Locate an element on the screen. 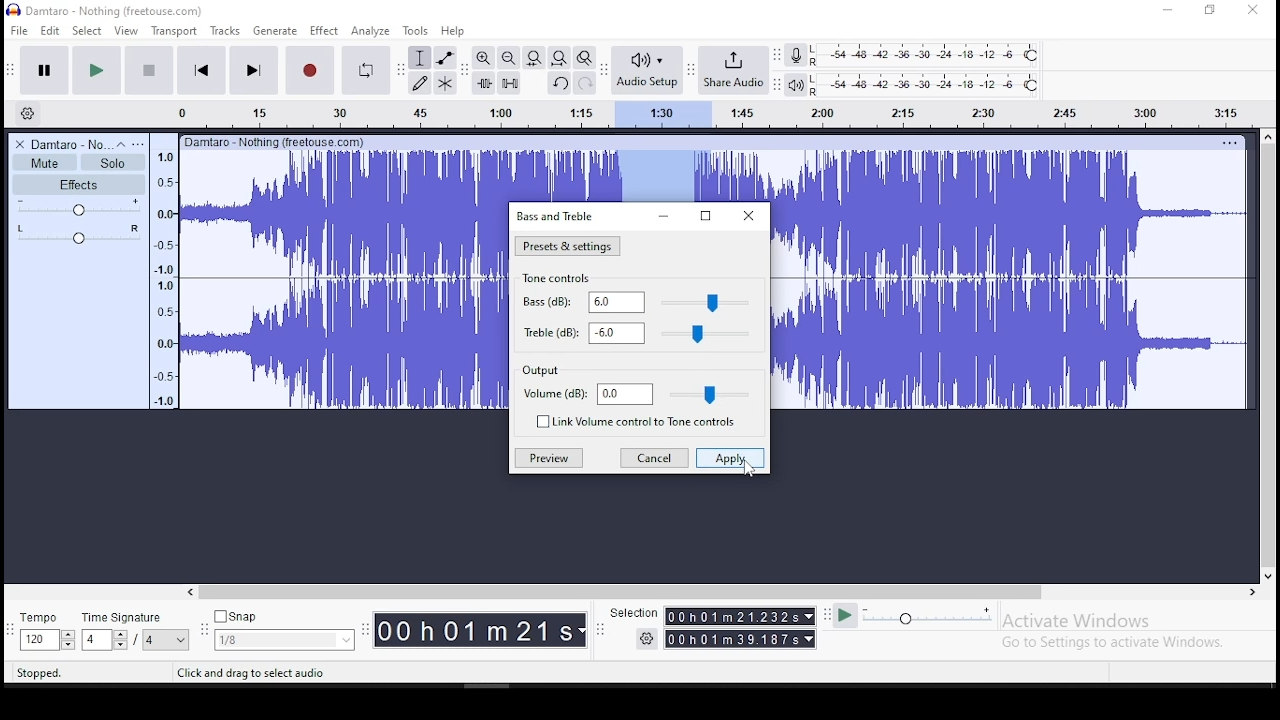 Image resolution: width=1280 pixels, height=720 pixels. fit selection to width is located at coordinates (533, 56).